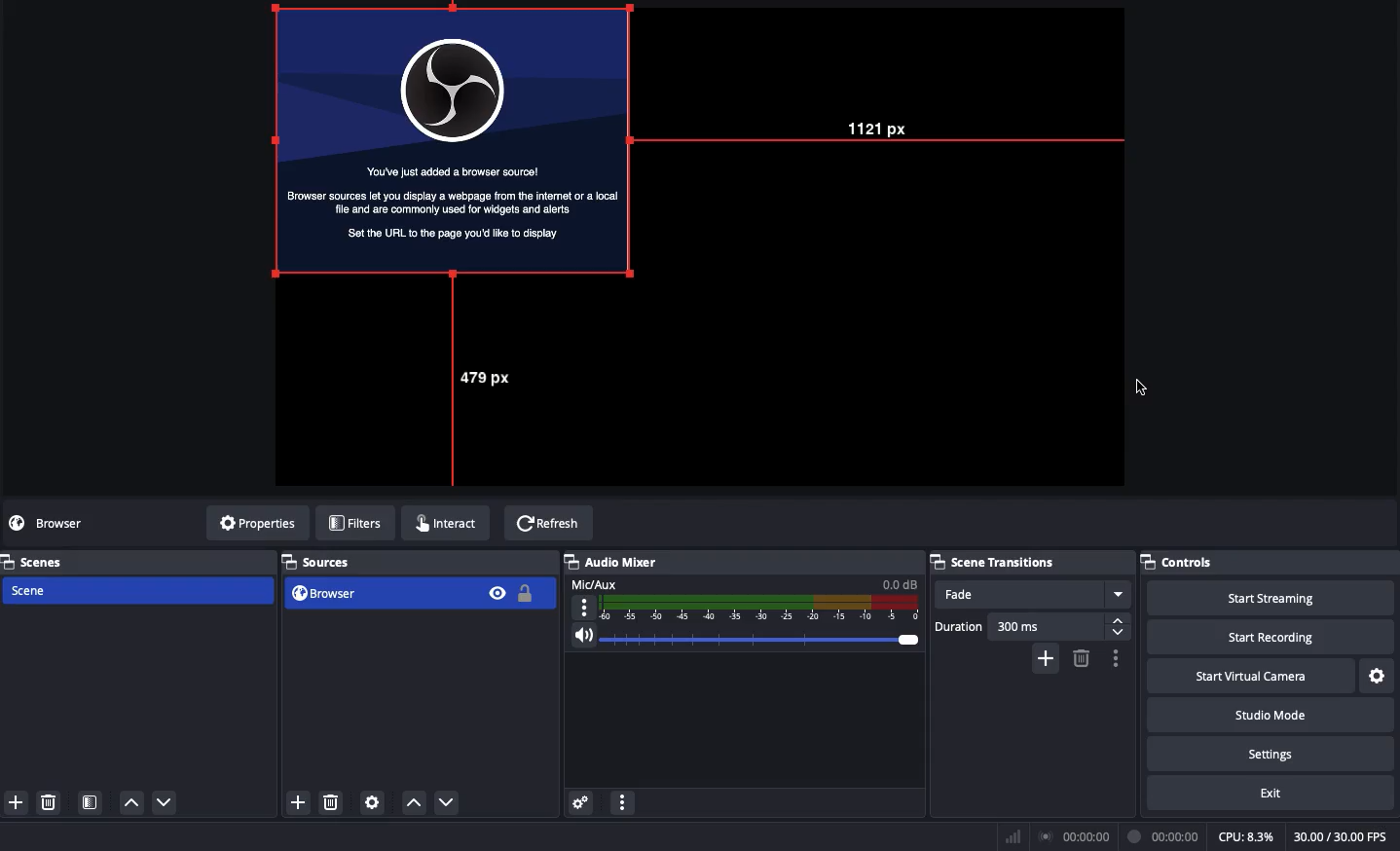 The image size is (1400, 851). What do you see at coordinates (298, 802) in the screenshot?
I see `add` at bounding box center [298, 802].